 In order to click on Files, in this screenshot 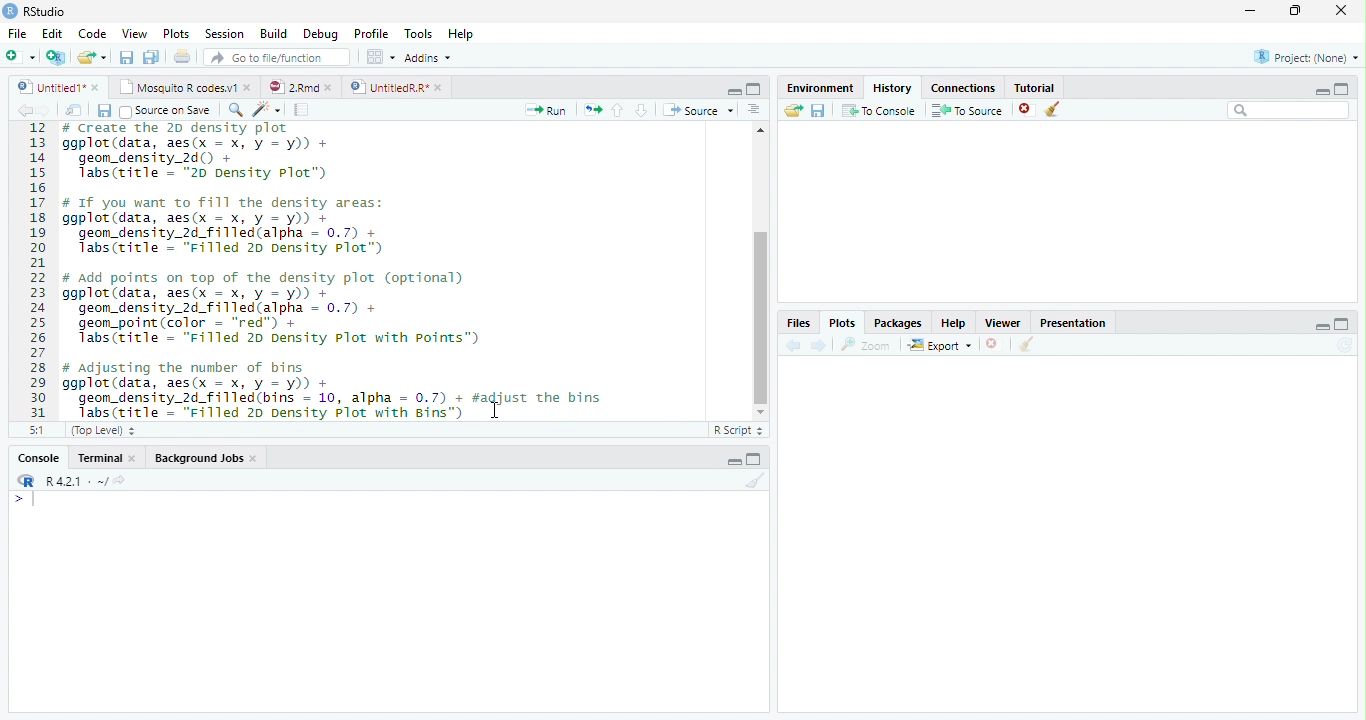, I will do `click(795, 323)`.